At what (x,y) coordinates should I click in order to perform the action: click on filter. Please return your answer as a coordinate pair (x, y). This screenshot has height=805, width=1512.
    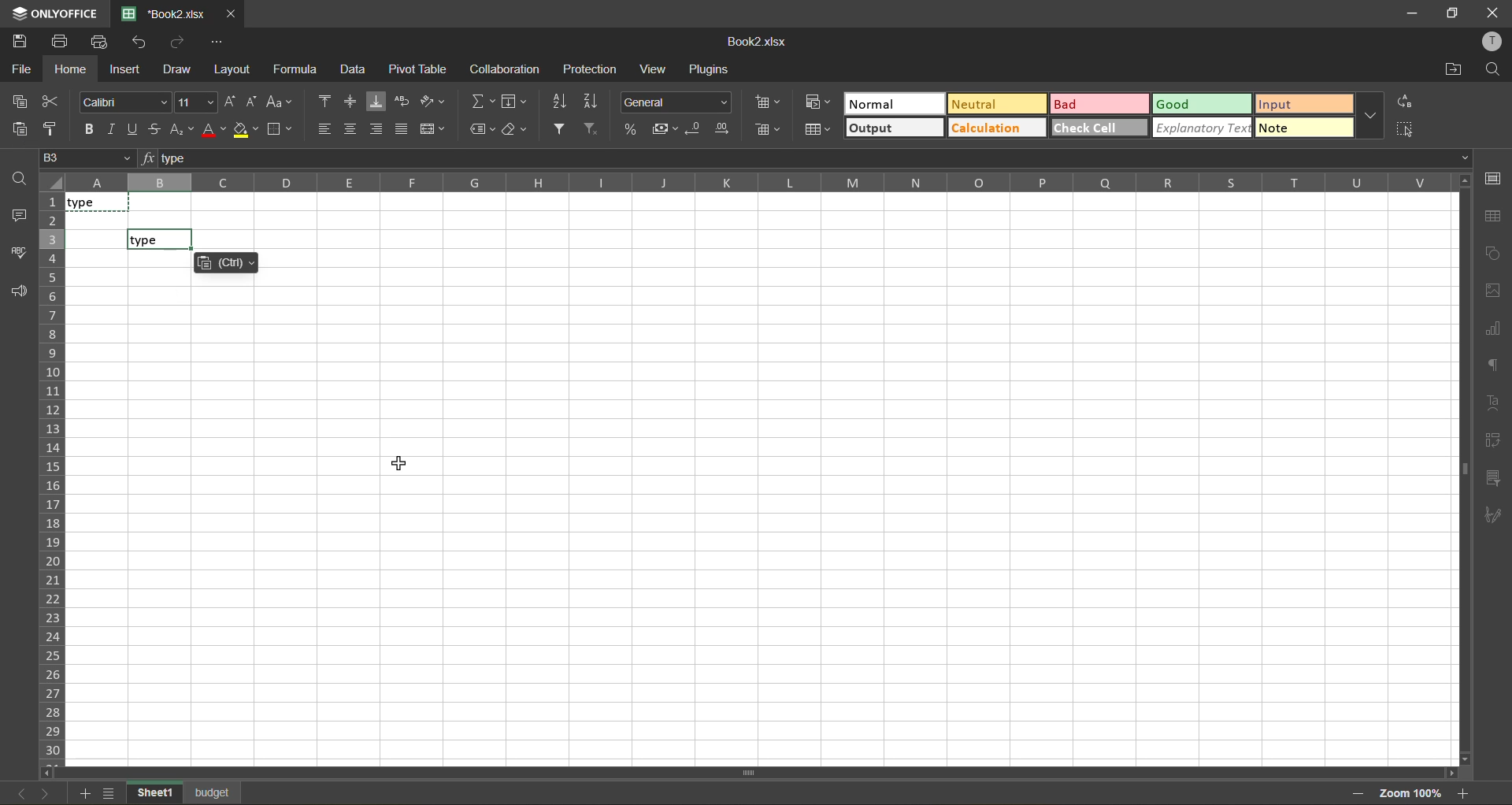
    Looking at the image, I should click on (559, 131).